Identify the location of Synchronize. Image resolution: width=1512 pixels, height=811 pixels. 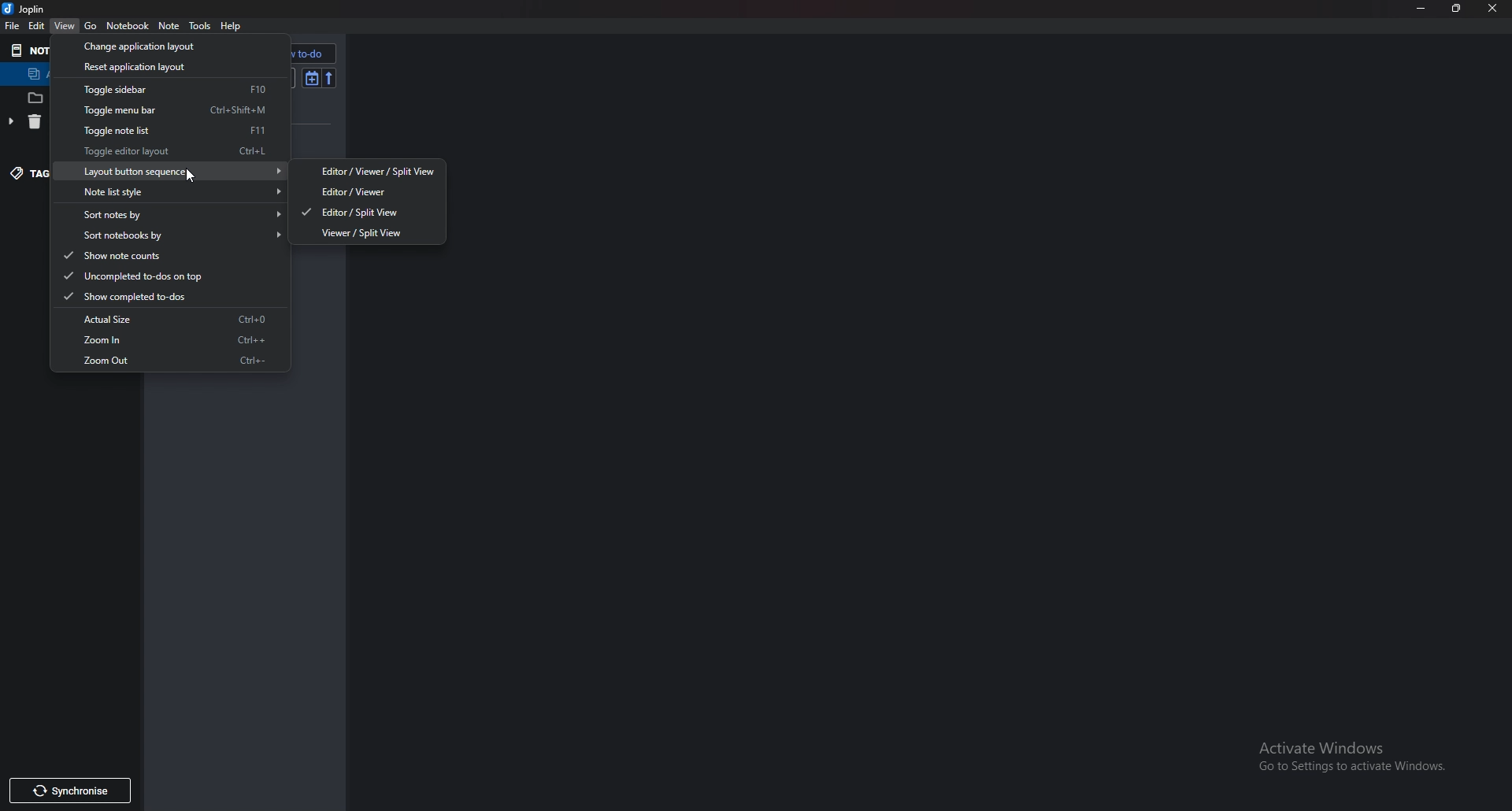
(69, 791).